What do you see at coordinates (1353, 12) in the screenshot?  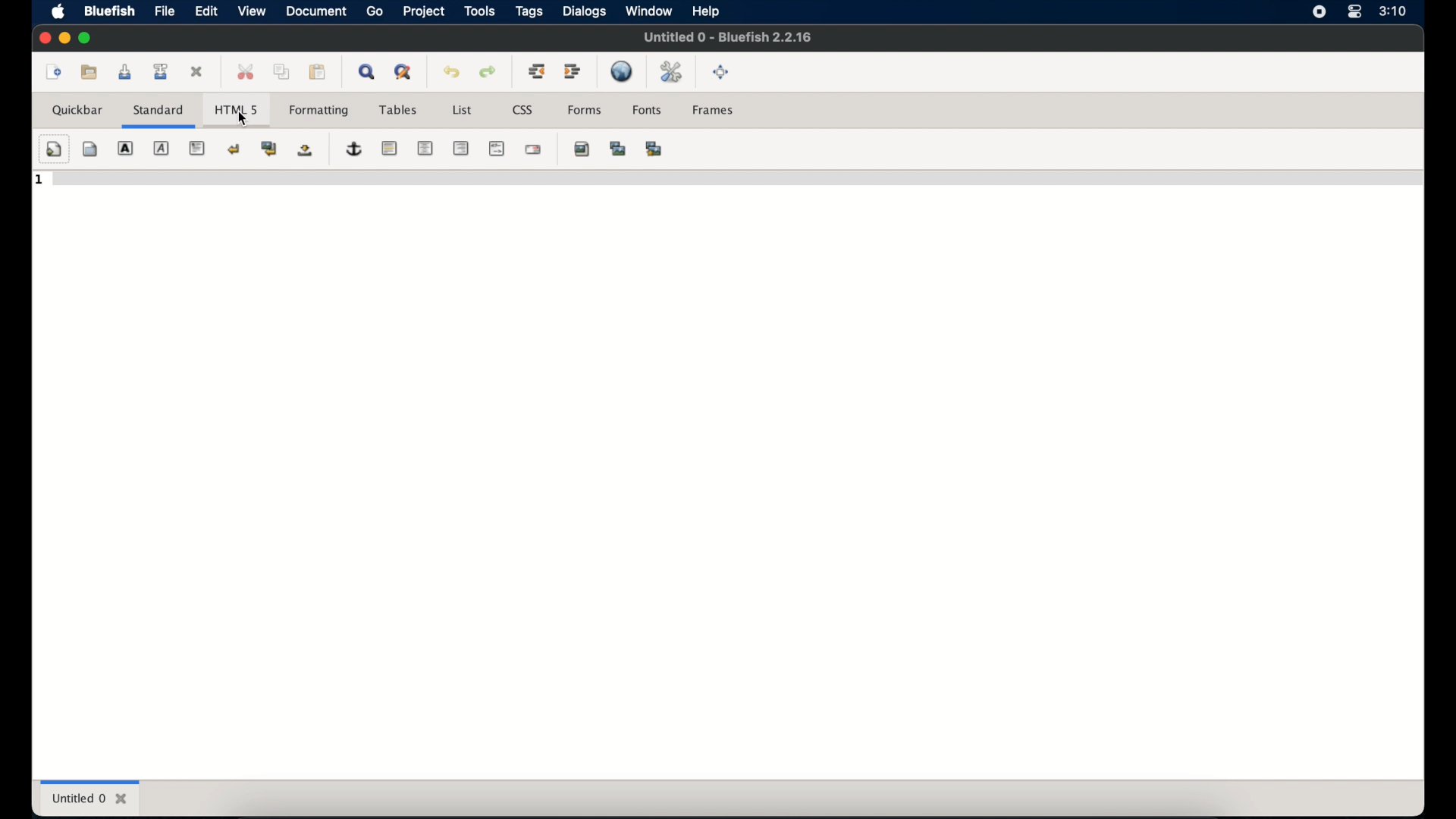 I see `control center` at bounding box center [1353, 12].